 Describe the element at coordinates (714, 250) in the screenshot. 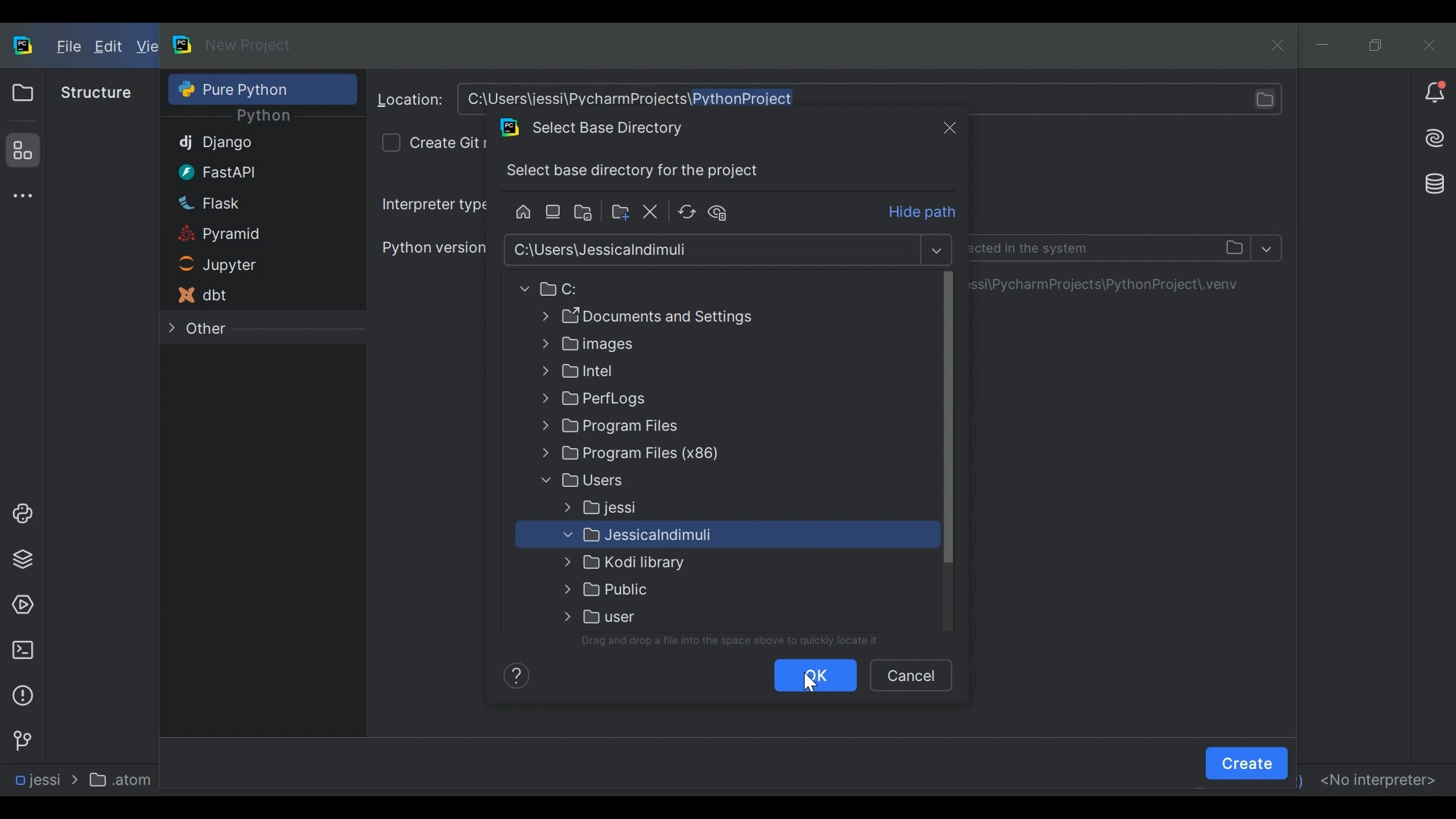

I see `Select base directory` at that location.